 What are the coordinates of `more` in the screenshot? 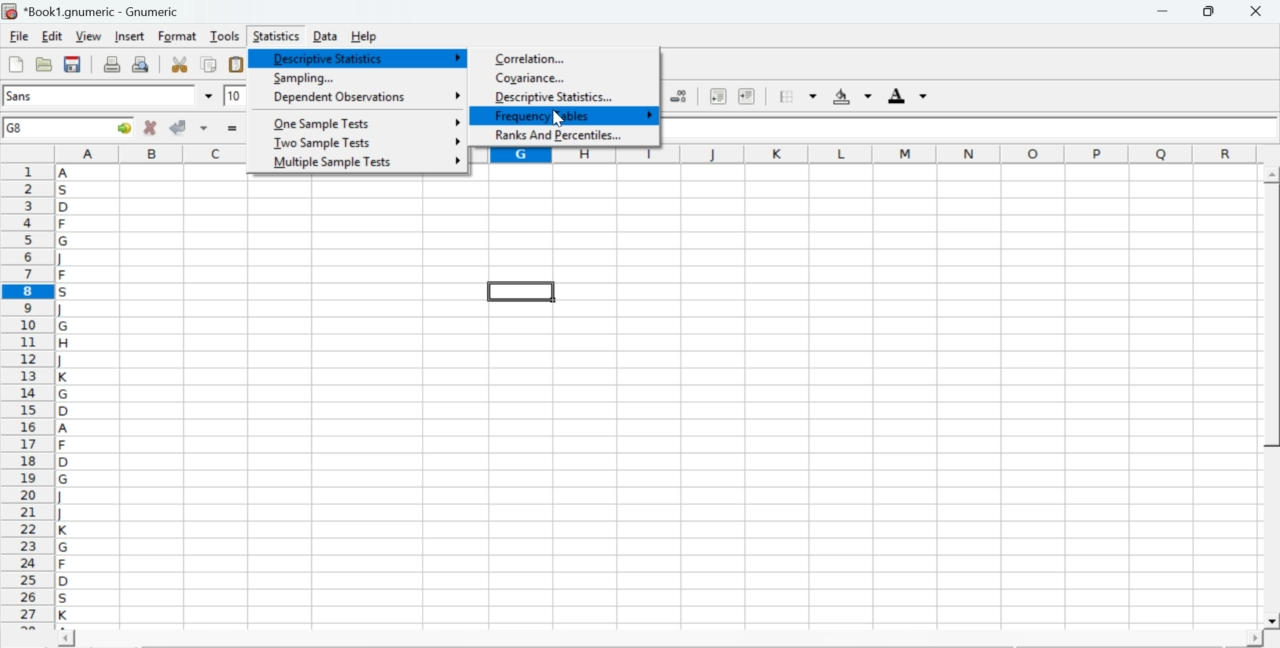 It's located at (458, 93).